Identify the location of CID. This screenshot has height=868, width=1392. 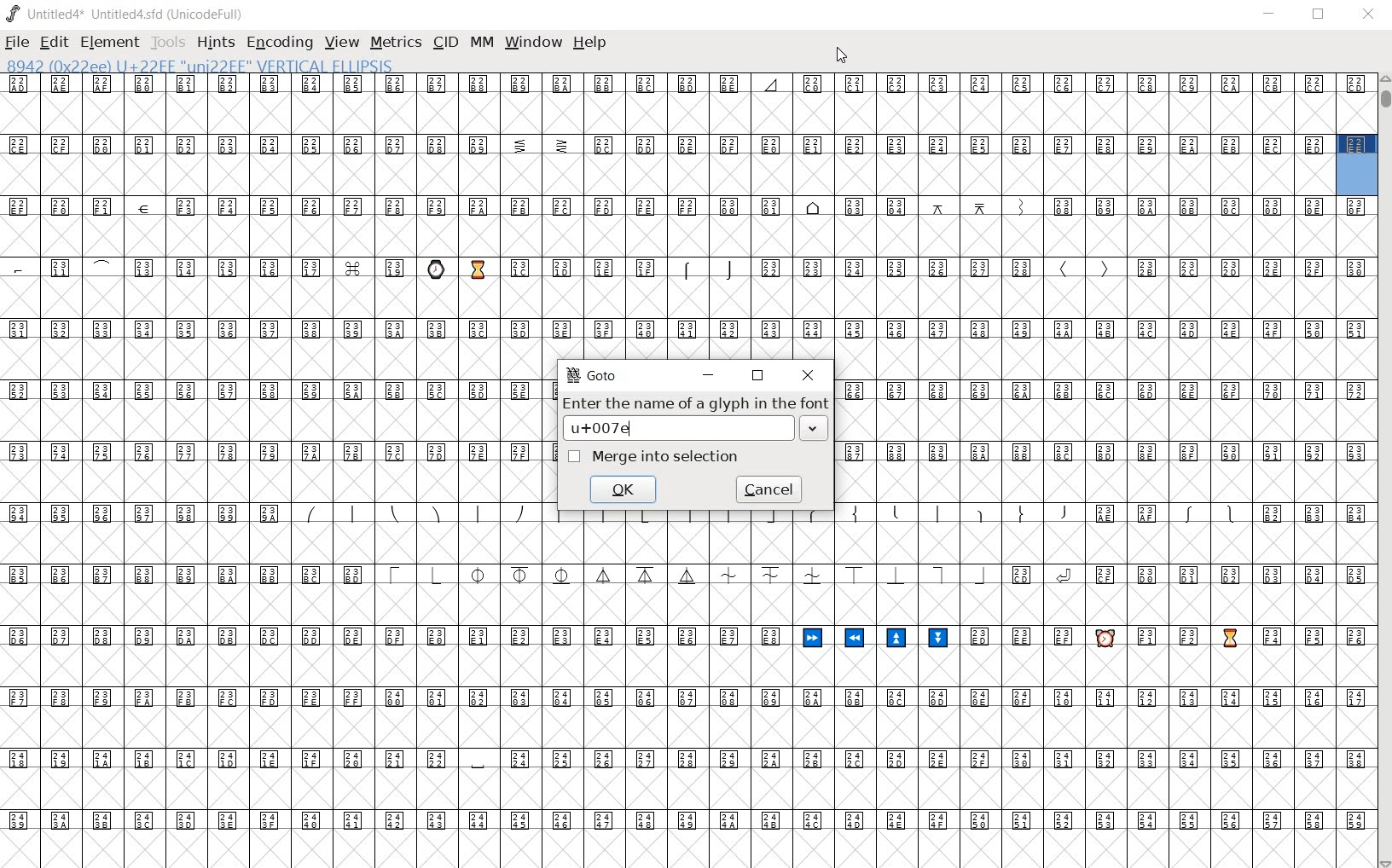
(444, 42).